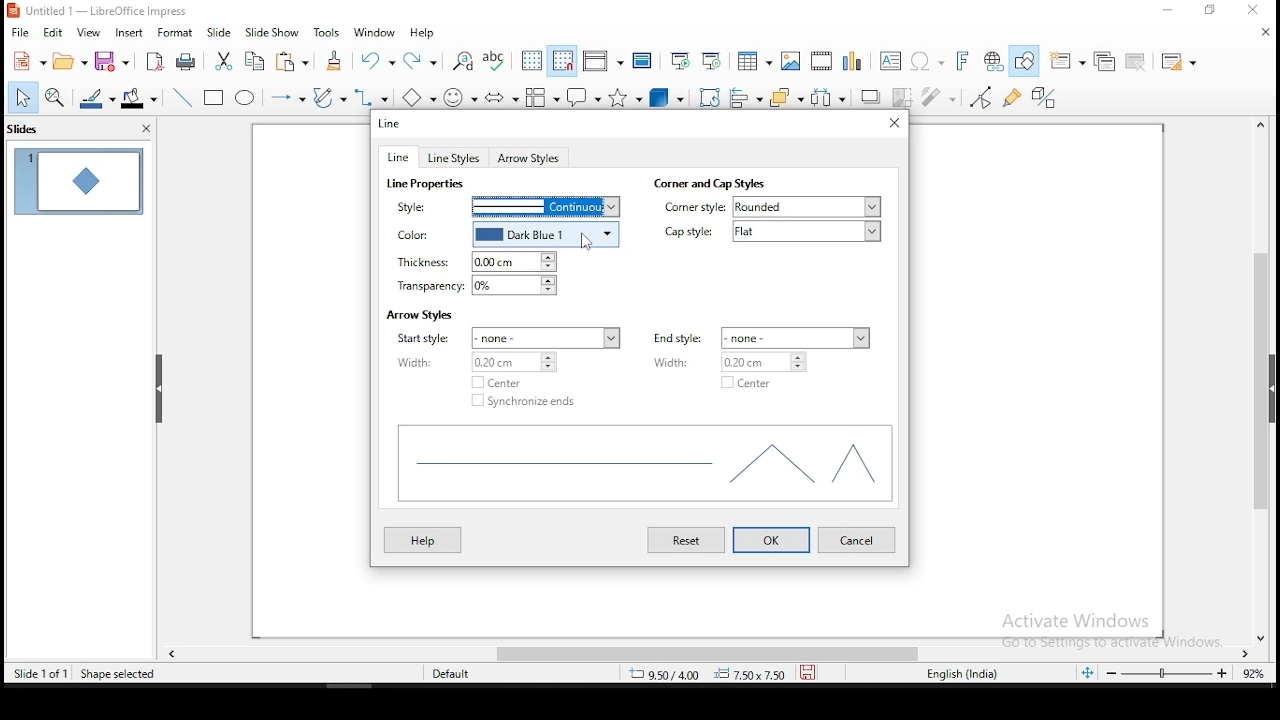 The height and width of the screenshot is (720, 1280). I want to click on clone formatting, so click(339, 64).